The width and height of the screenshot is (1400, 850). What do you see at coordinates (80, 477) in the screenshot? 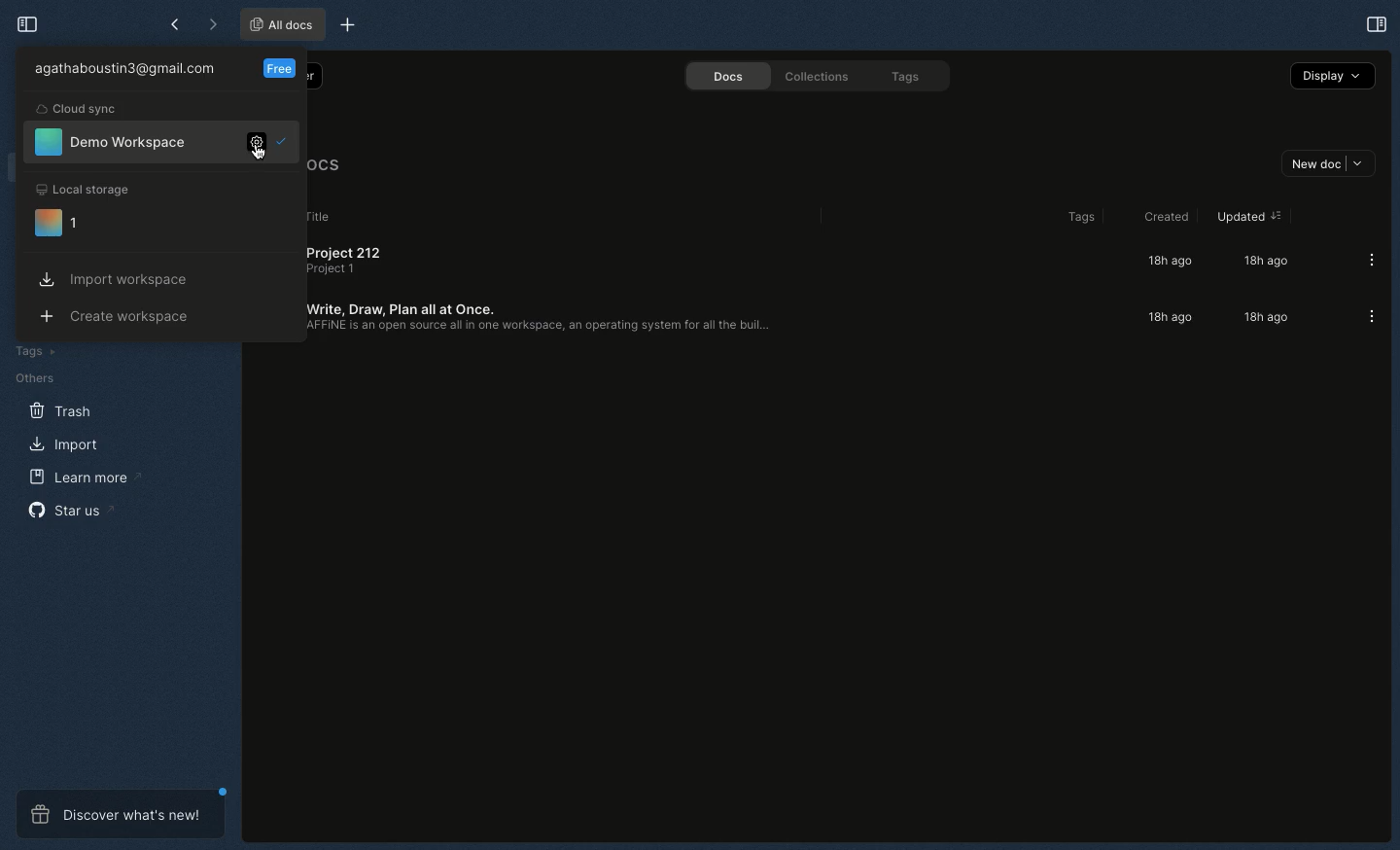
I see `Learn more` at bounding box center [80, 477].